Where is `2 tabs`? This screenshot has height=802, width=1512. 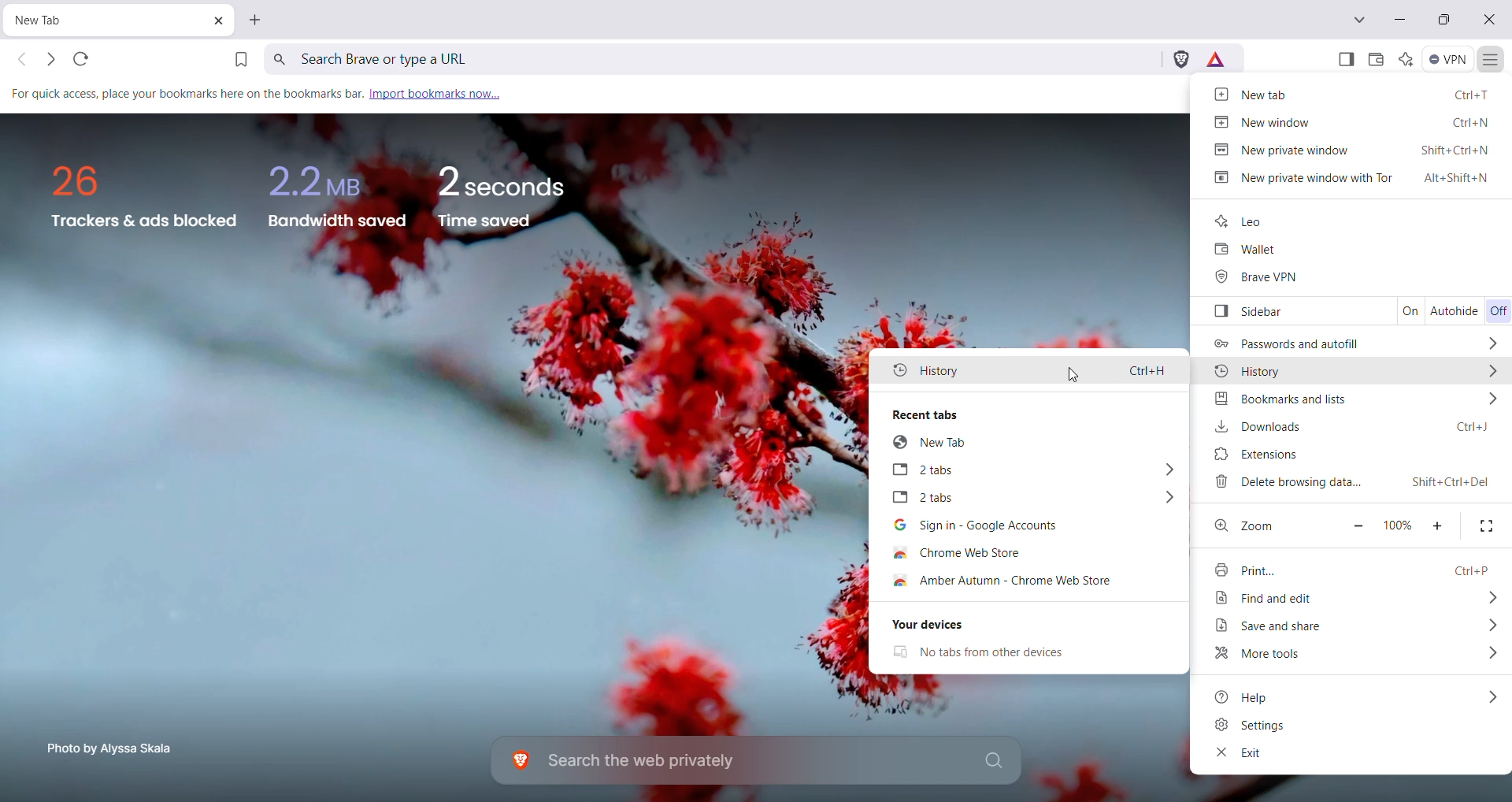 2 tabs is located at coordinates (1026, 499).